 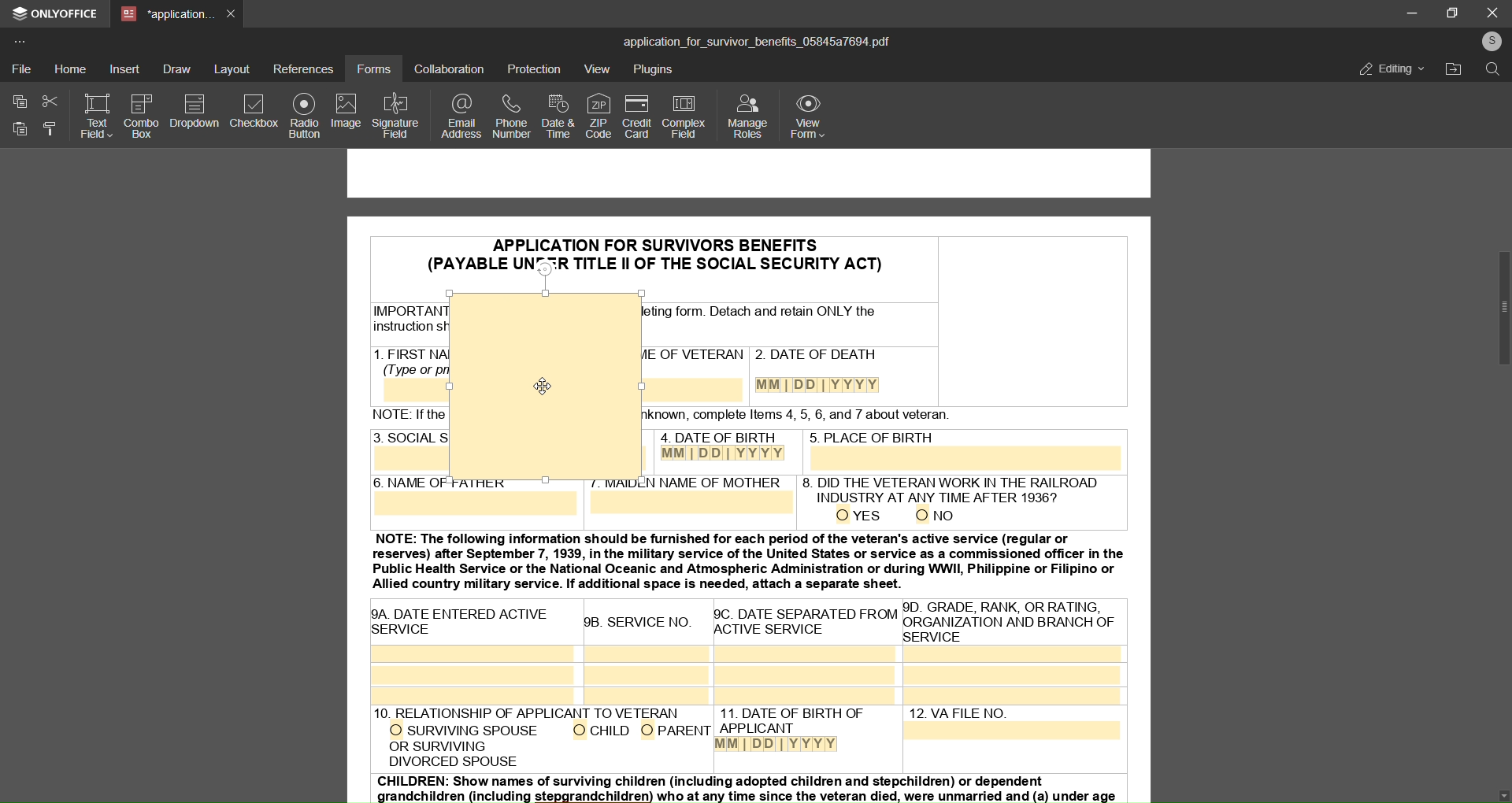 I want to click on protection, so click(x=535, y=68).